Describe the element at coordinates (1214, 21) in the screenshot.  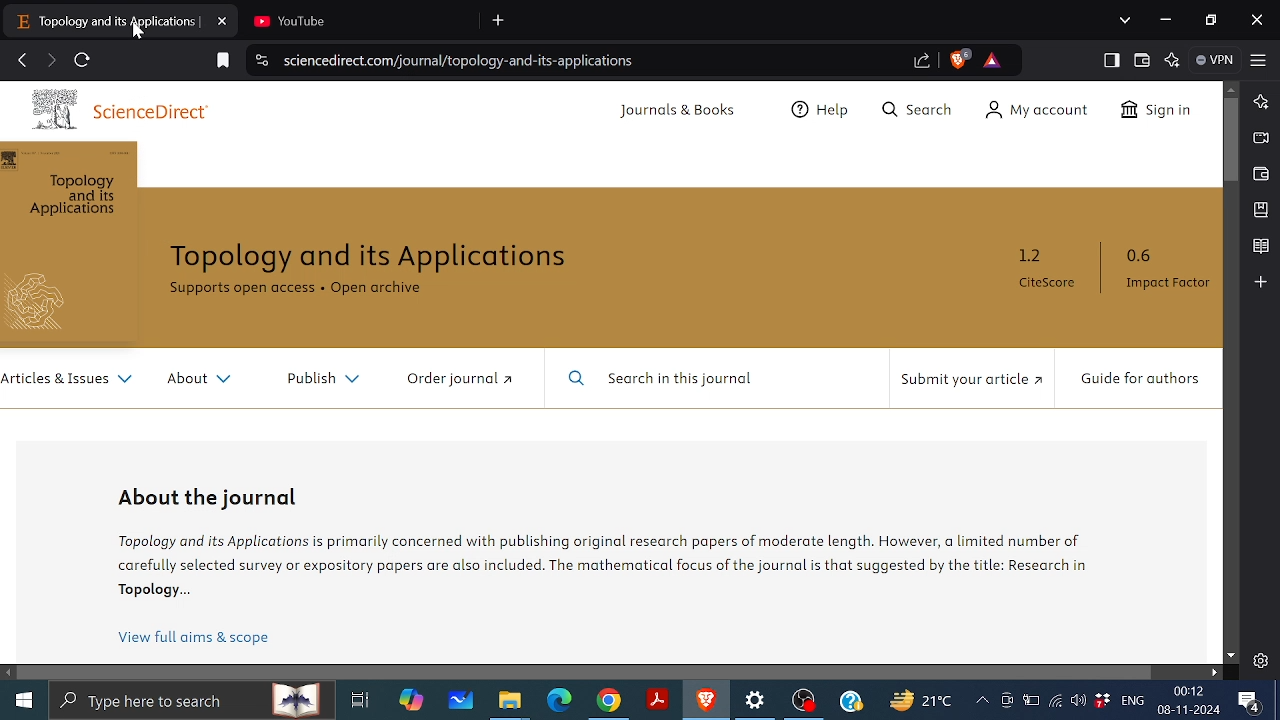
I see `Restore down` at that location.